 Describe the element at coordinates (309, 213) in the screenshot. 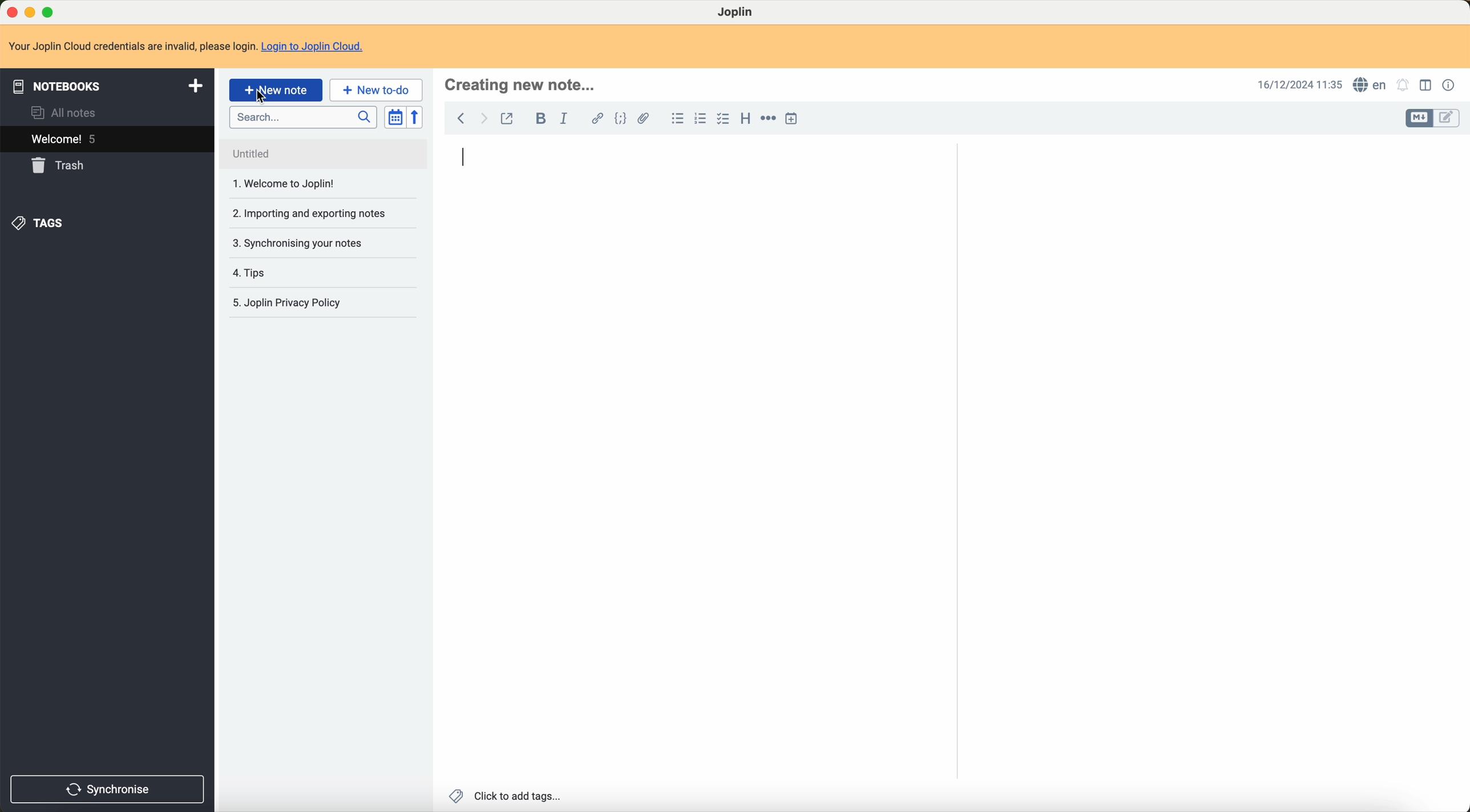

I see `2.importing and exporting notes` at that location.